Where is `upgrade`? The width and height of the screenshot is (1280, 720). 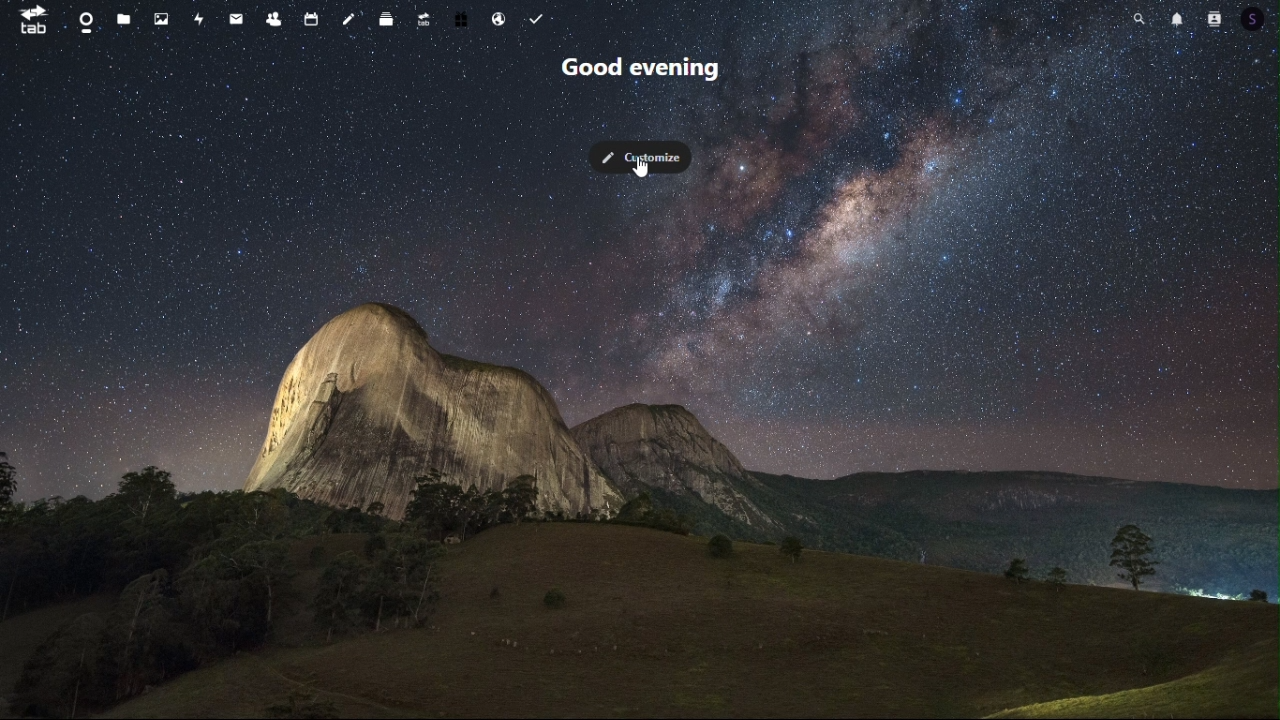
upgrade is located at coordinates (424, 18).